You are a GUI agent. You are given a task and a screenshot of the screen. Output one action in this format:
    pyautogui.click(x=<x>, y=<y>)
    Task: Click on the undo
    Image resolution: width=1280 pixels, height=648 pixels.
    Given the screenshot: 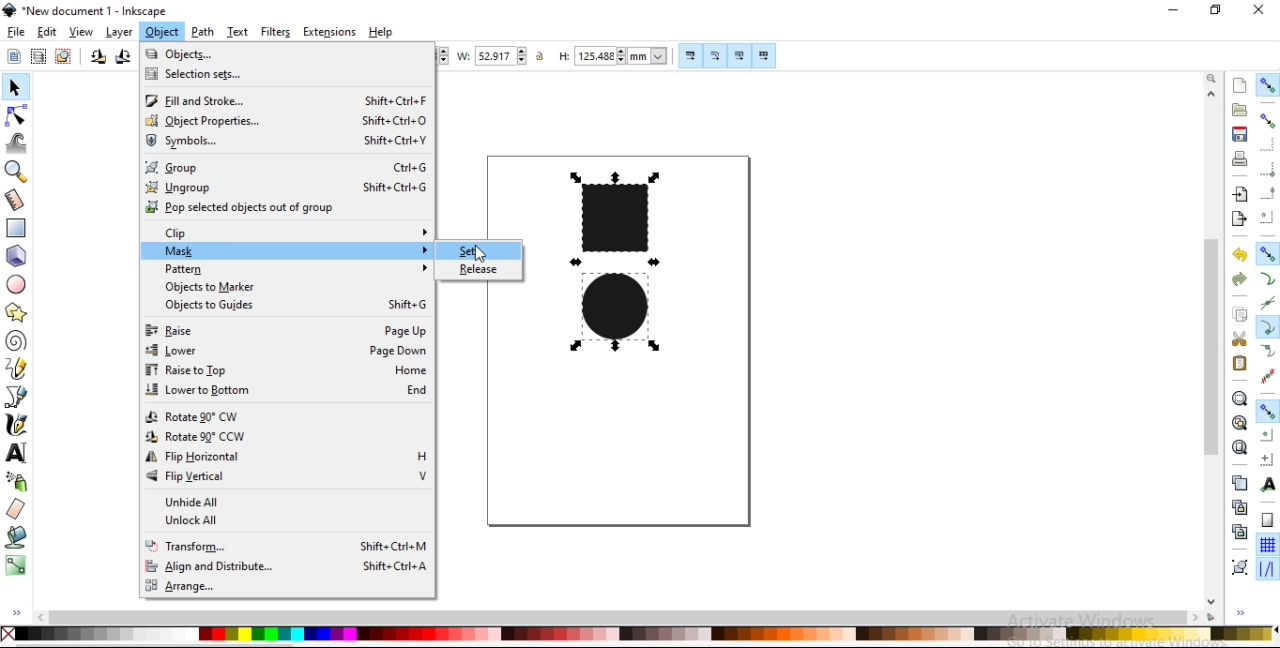 What is the action you would take?
    pyautogui.click(x=1239, y=255)
    